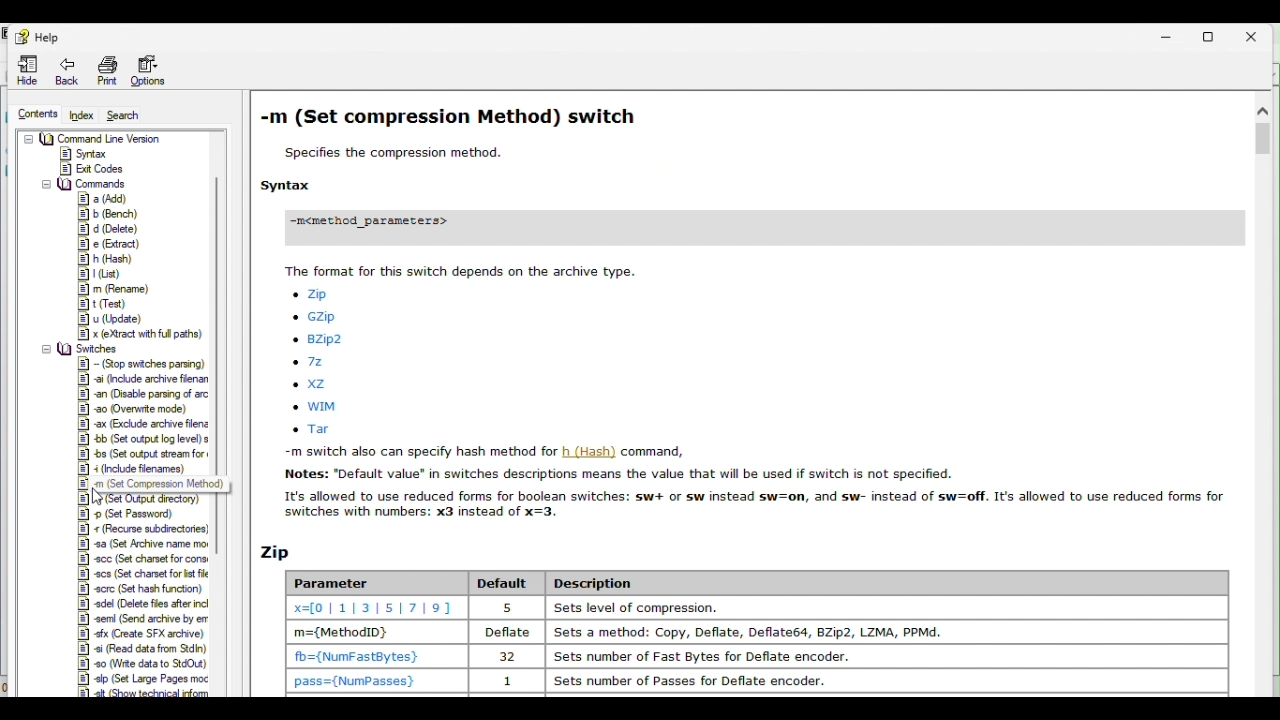 The image size is (1280, 720). Describe the element at coordinates (108, 304) in the screenshot. I see `test` at that location.